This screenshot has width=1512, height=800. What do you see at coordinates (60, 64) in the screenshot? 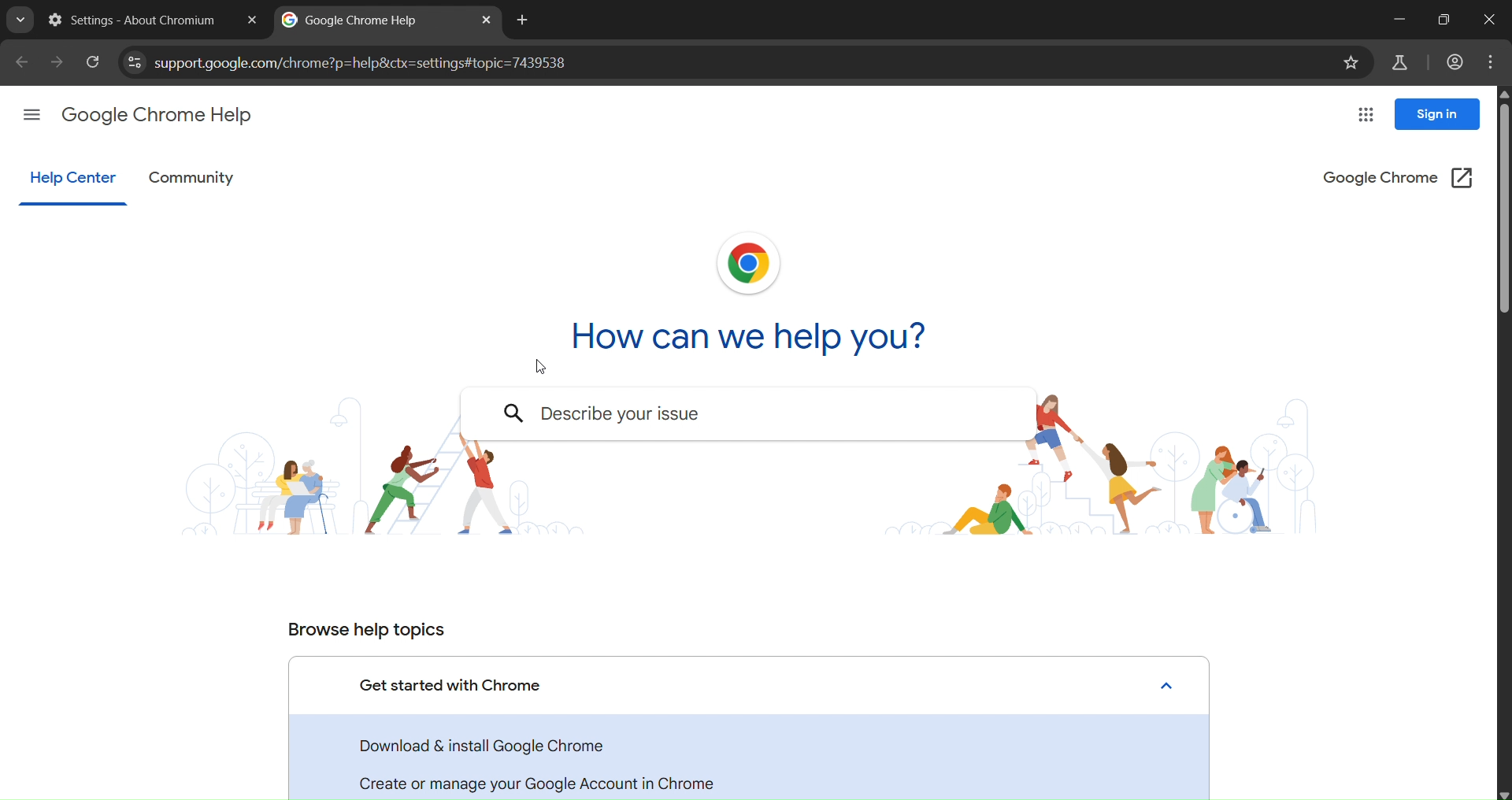
I see `go forward one page` at bounding box center [60, 64].